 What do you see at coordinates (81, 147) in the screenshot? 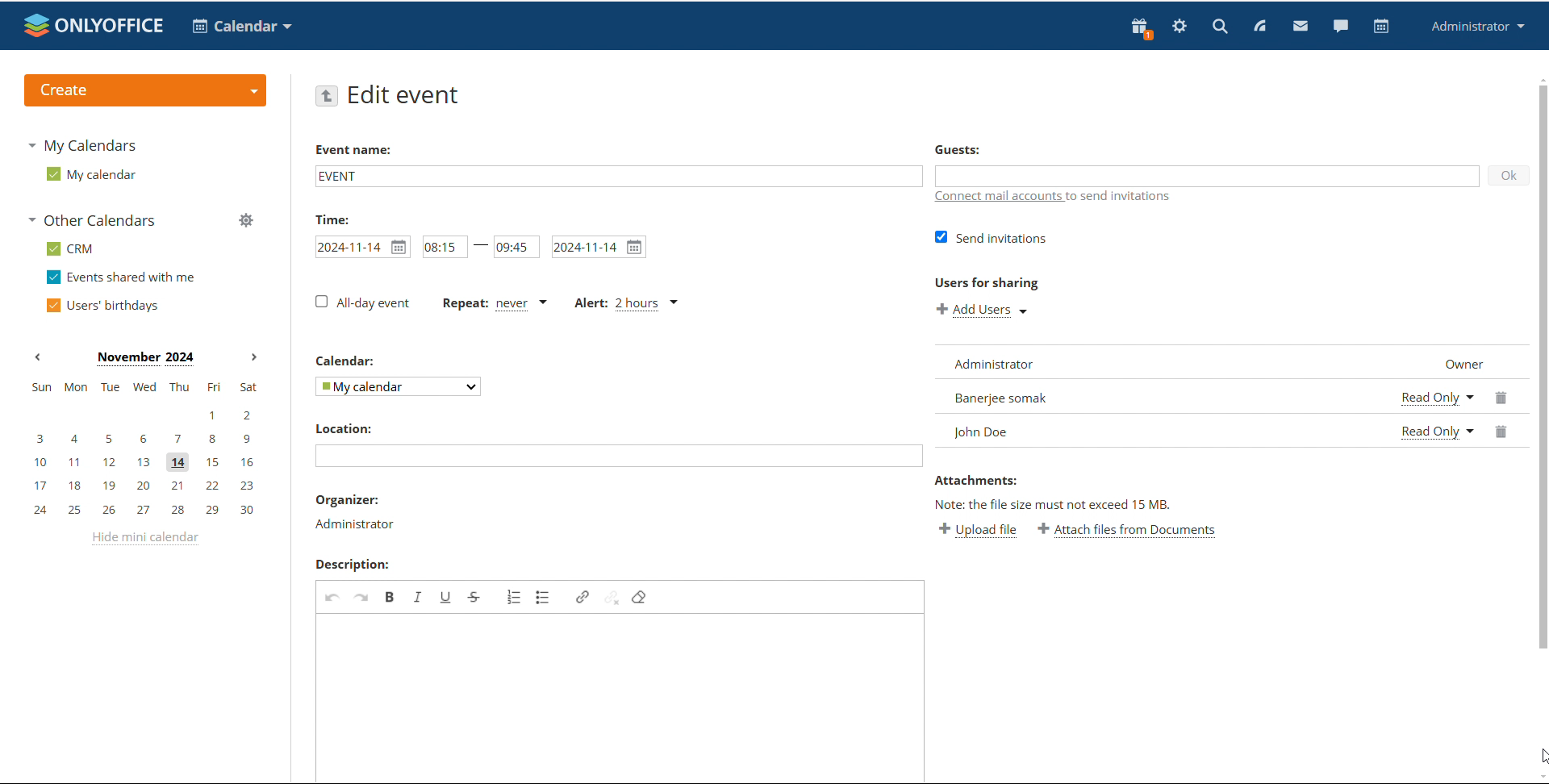
I see `my calendars` at bounding box center [81, 147].